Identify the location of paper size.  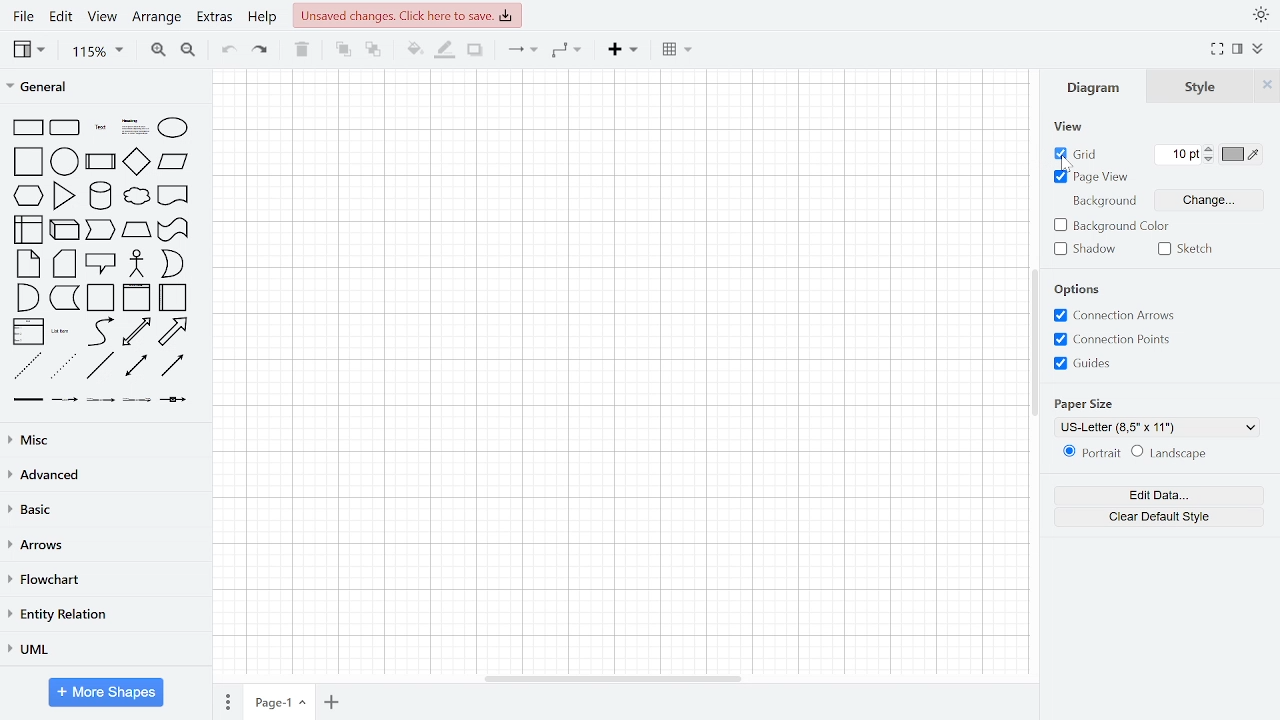
(1087, 405).